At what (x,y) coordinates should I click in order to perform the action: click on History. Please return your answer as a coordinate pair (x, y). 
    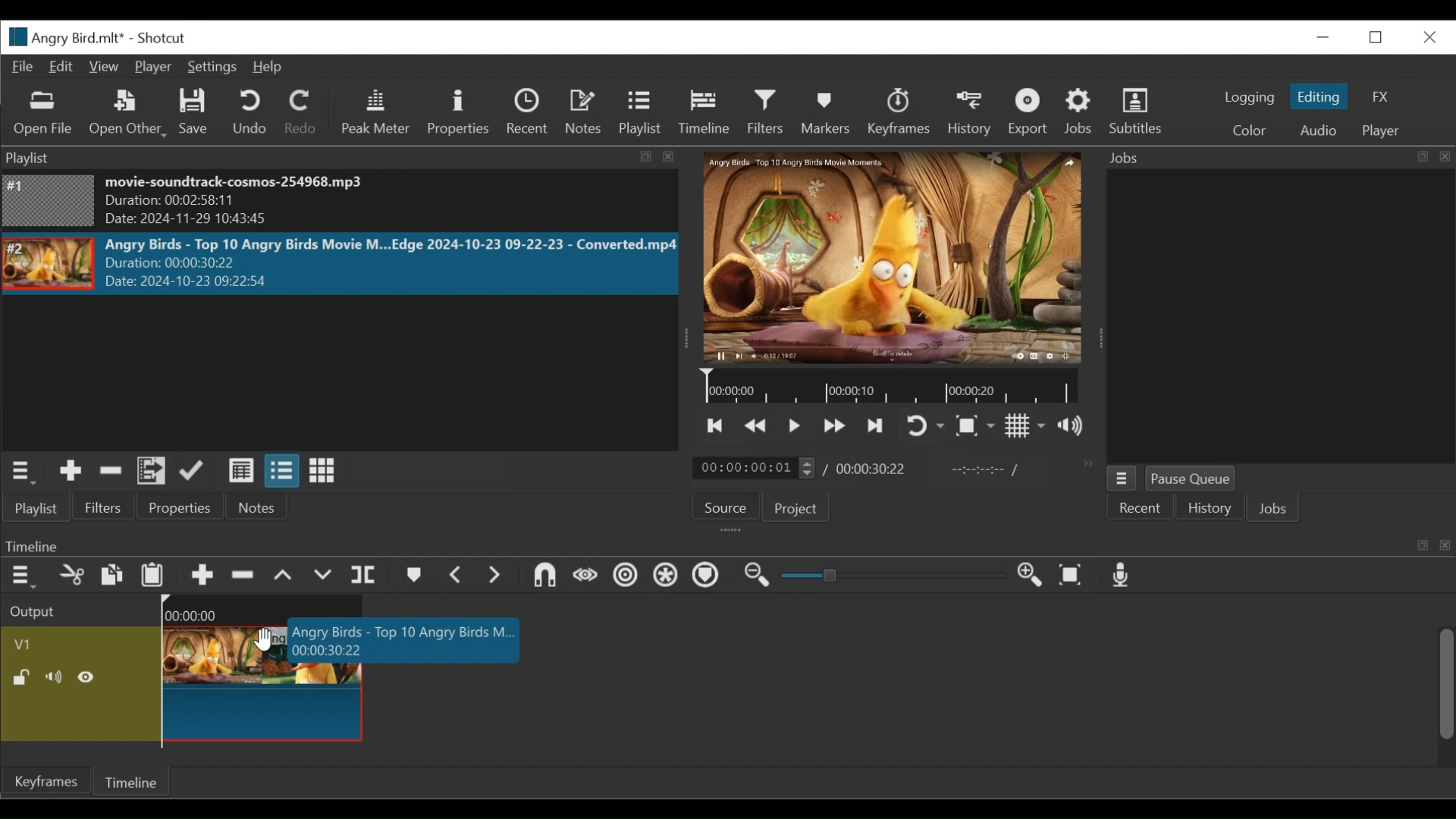
    Looking at the image, I should click on (1209, 508).